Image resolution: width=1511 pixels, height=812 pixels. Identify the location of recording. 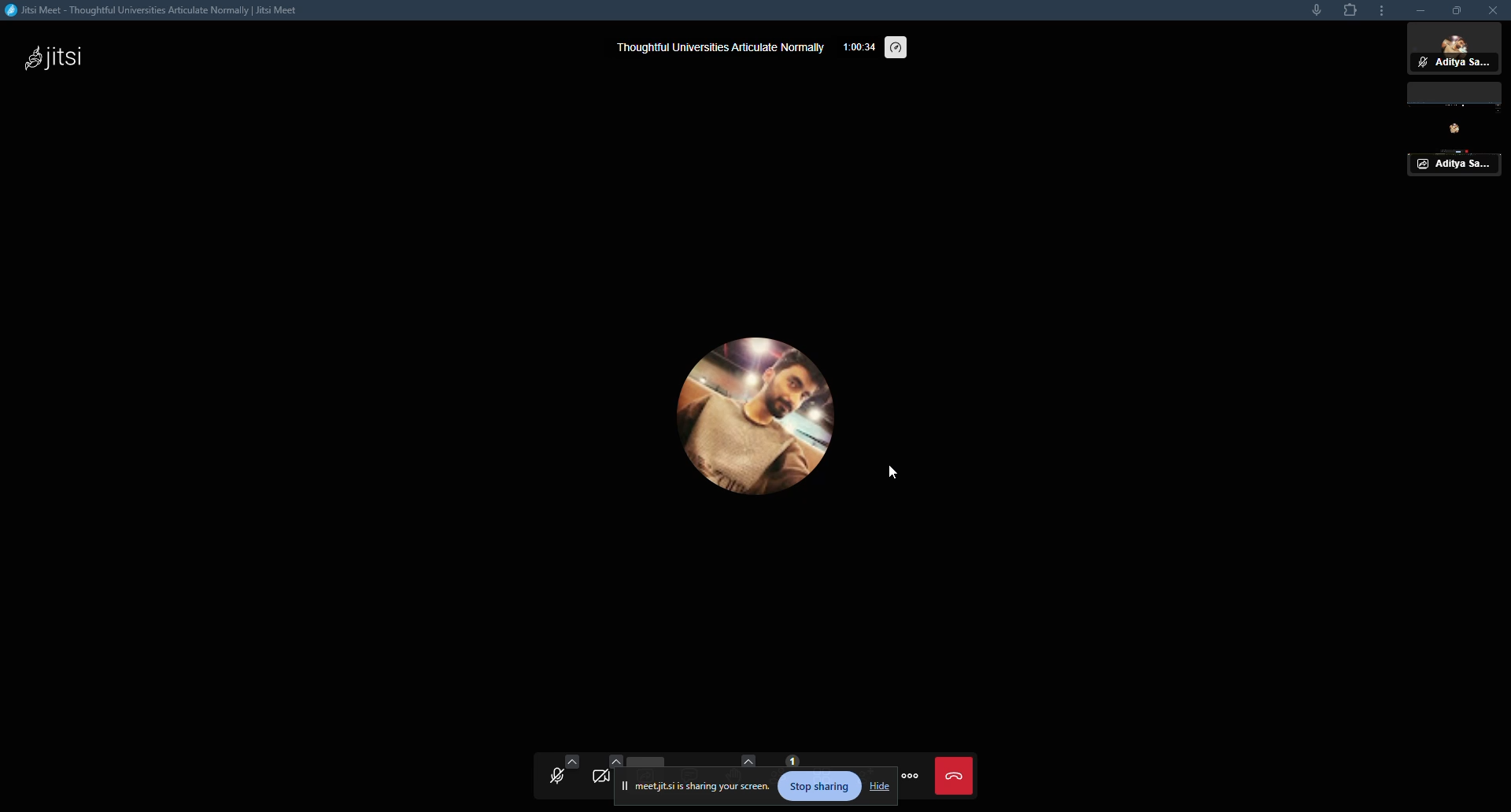
(1457, 135).